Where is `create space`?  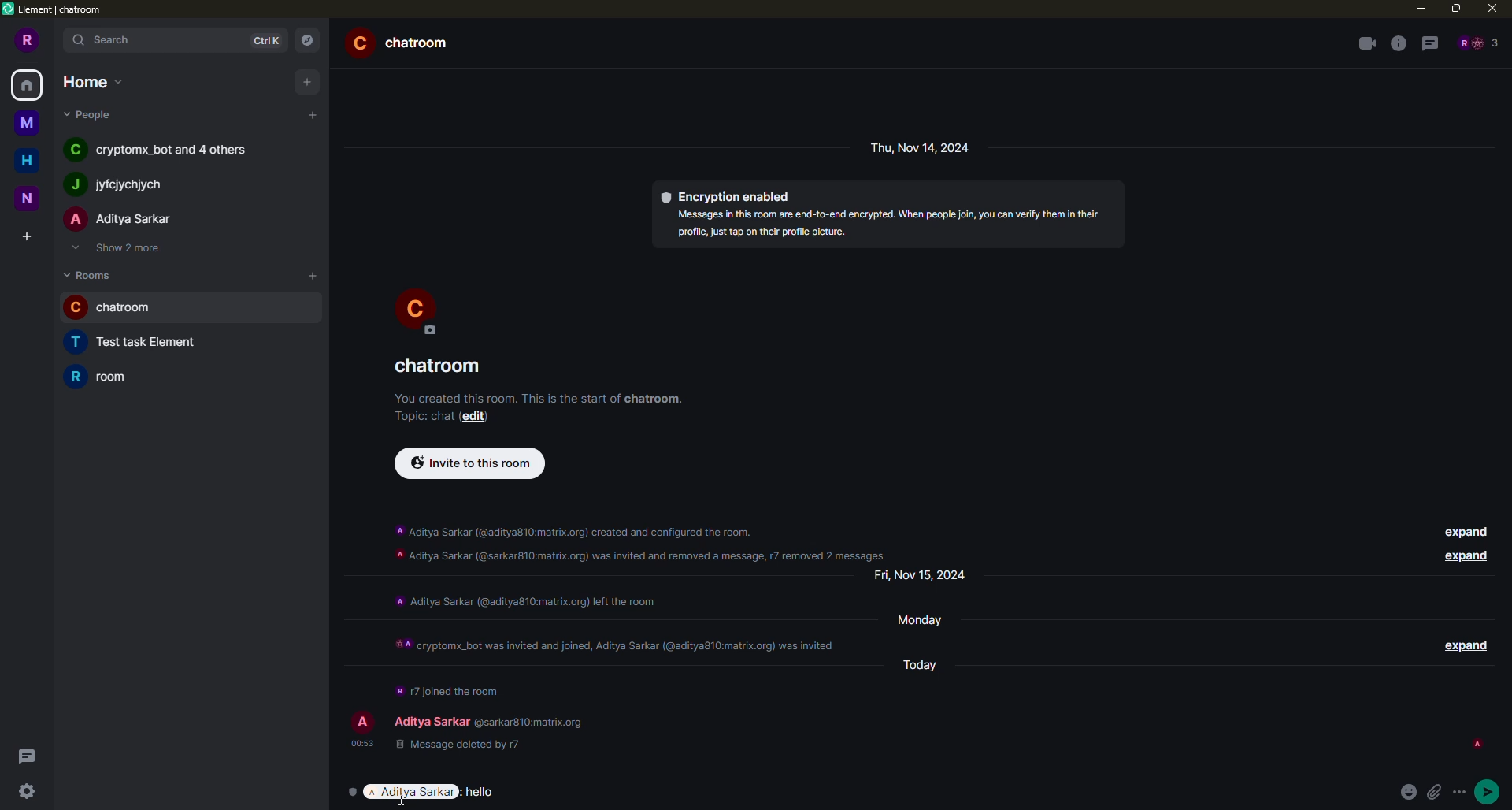 create space is located at coordinates (24, 236).